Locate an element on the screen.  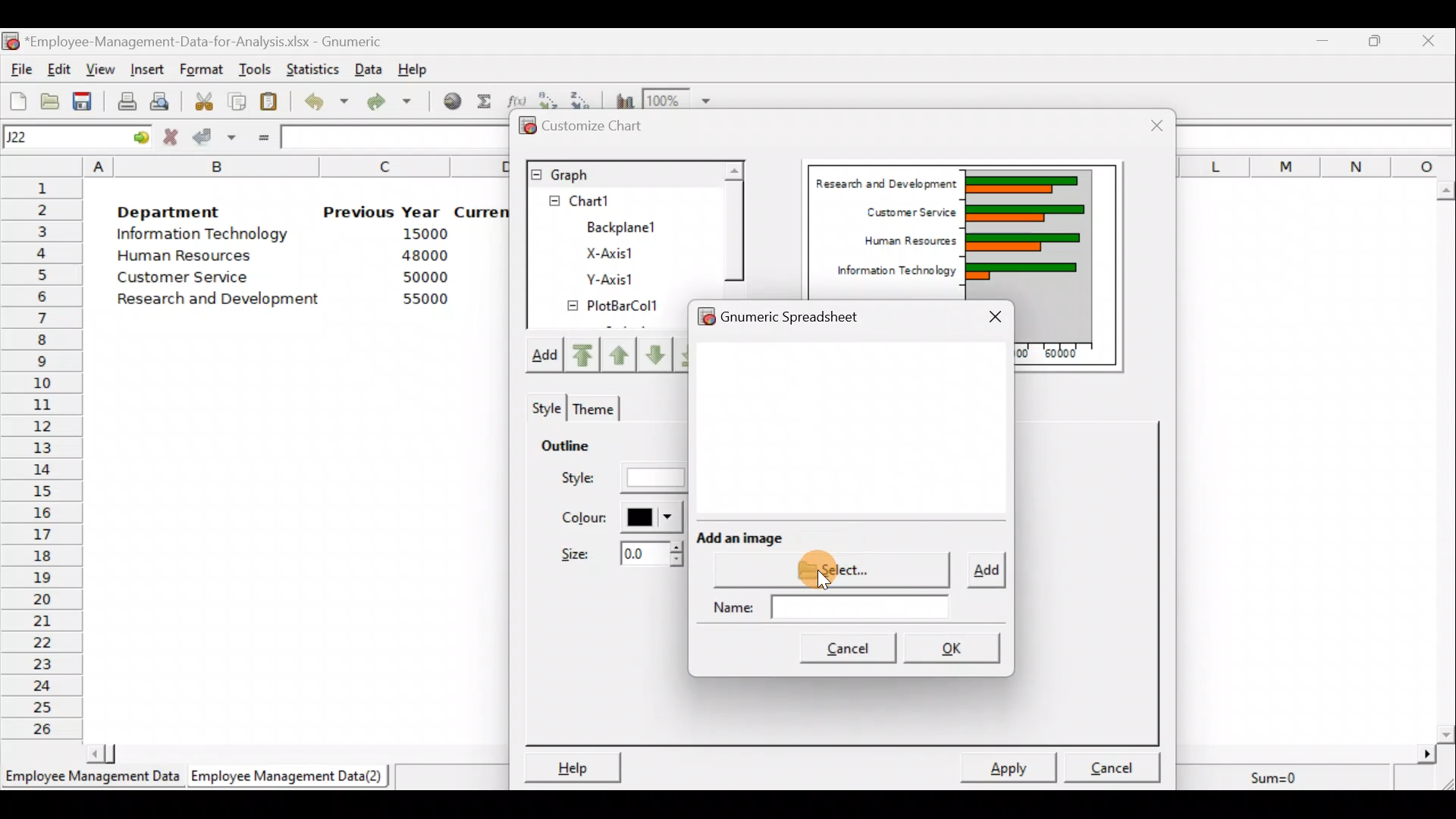
Graph is located at coordinates (623, 173).